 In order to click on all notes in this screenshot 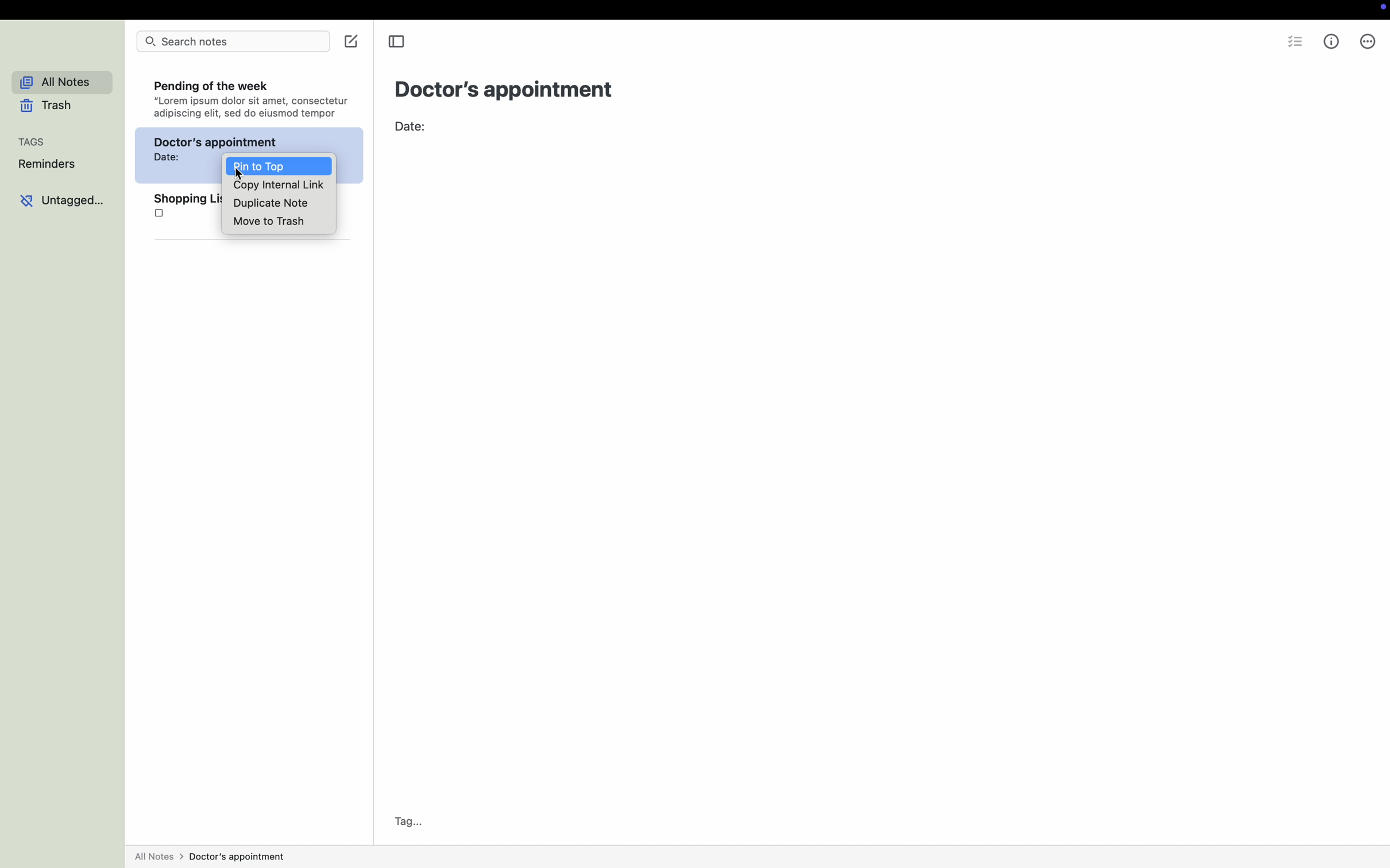, I will do `click(56, 83)`.